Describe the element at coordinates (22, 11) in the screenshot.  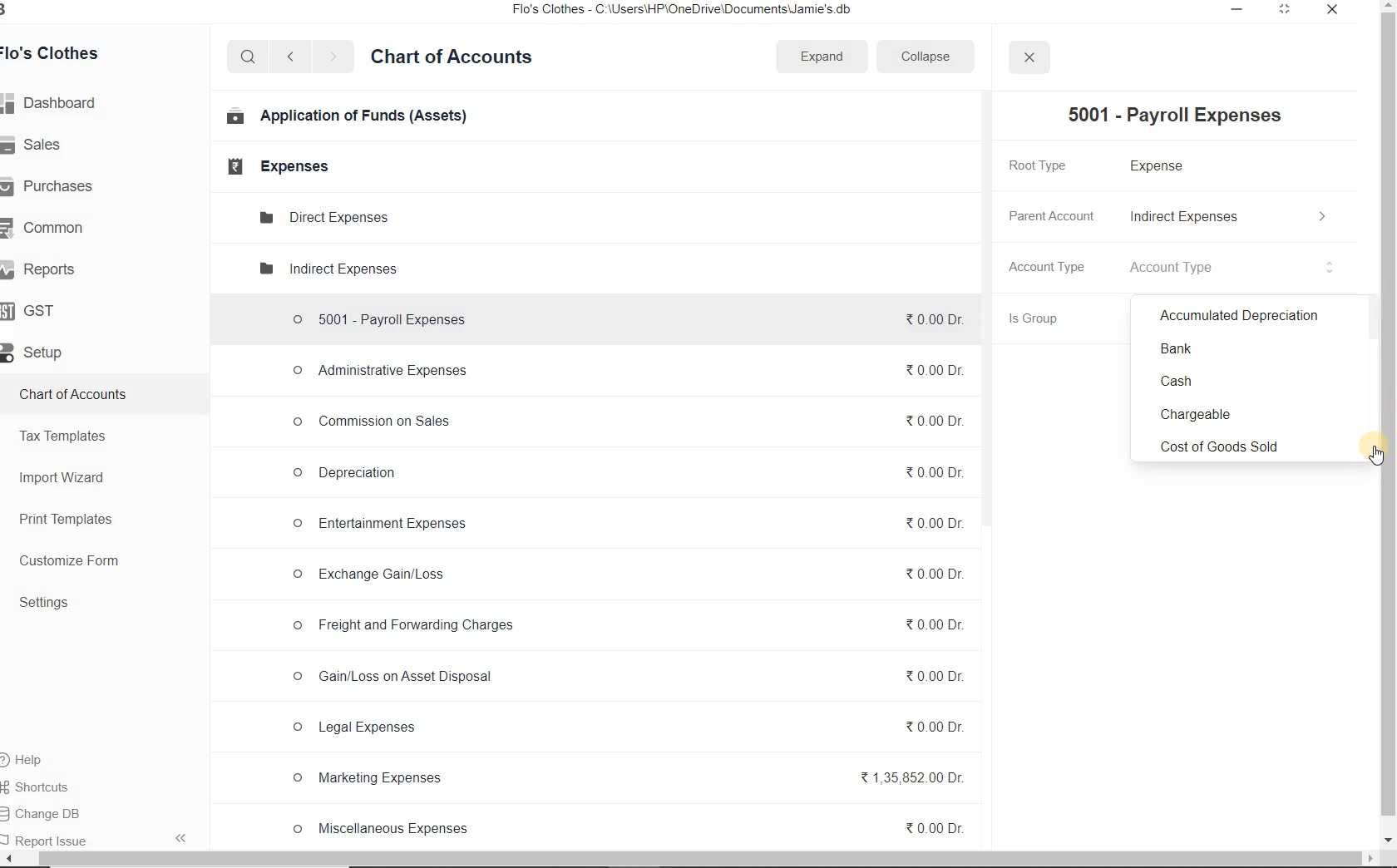
I see `frappe books logo` at that location.